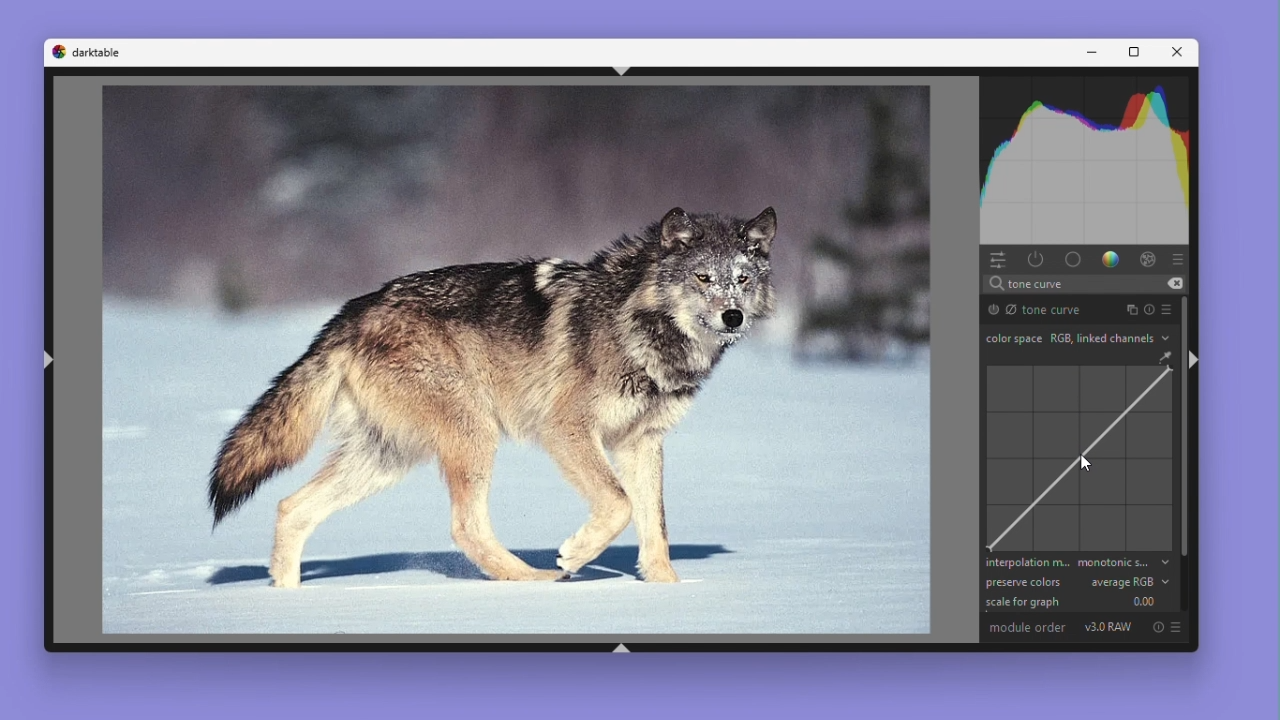 Image resolution: width=1280 pixels, height=720 pixels. What do you see at coordinates (49, 359) in the screenshot?
I see `shift+ctrl+l` at bounding box center [49, 359].